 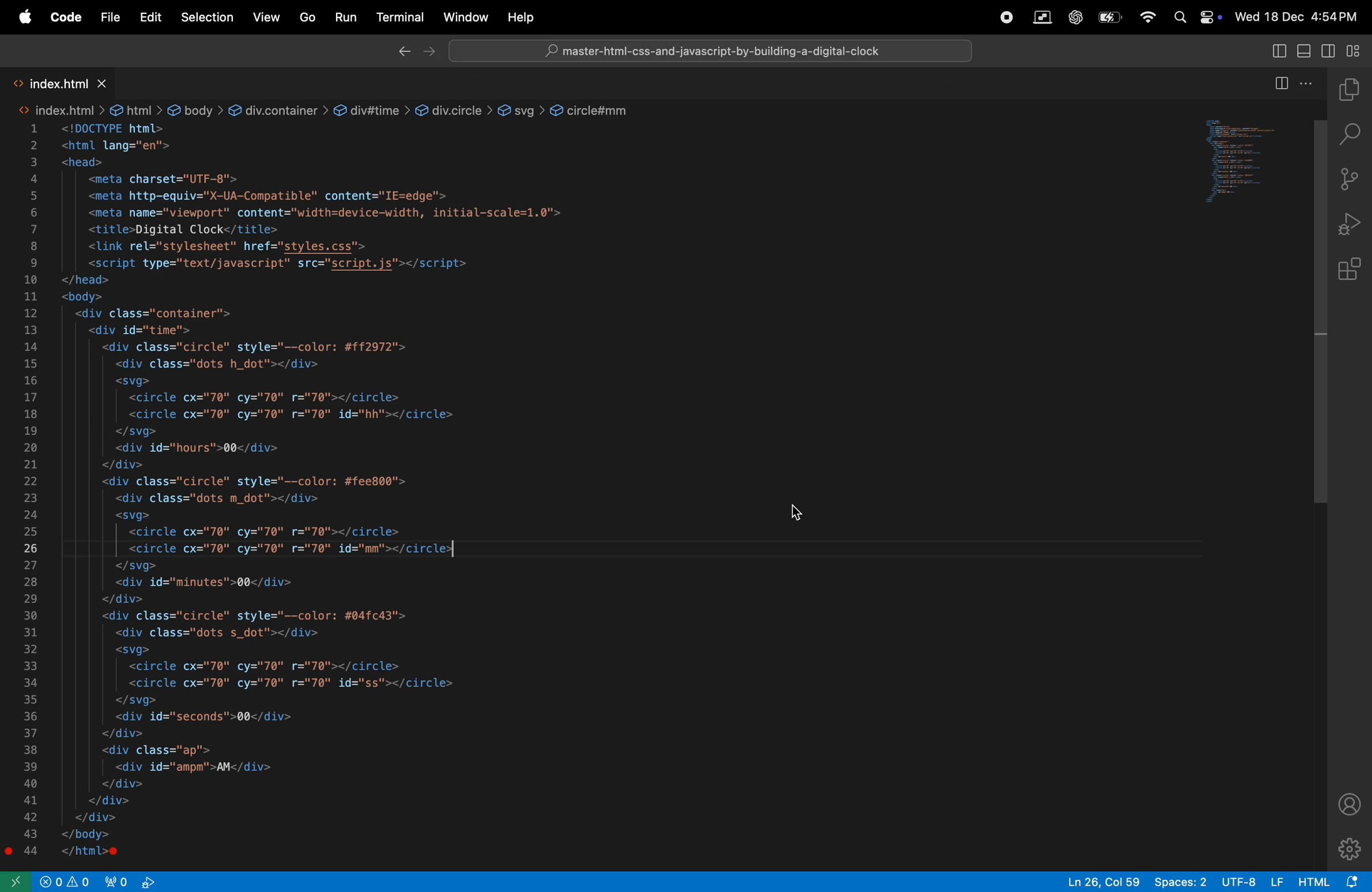 I want to click on Edit, so click(x=150, y=18).